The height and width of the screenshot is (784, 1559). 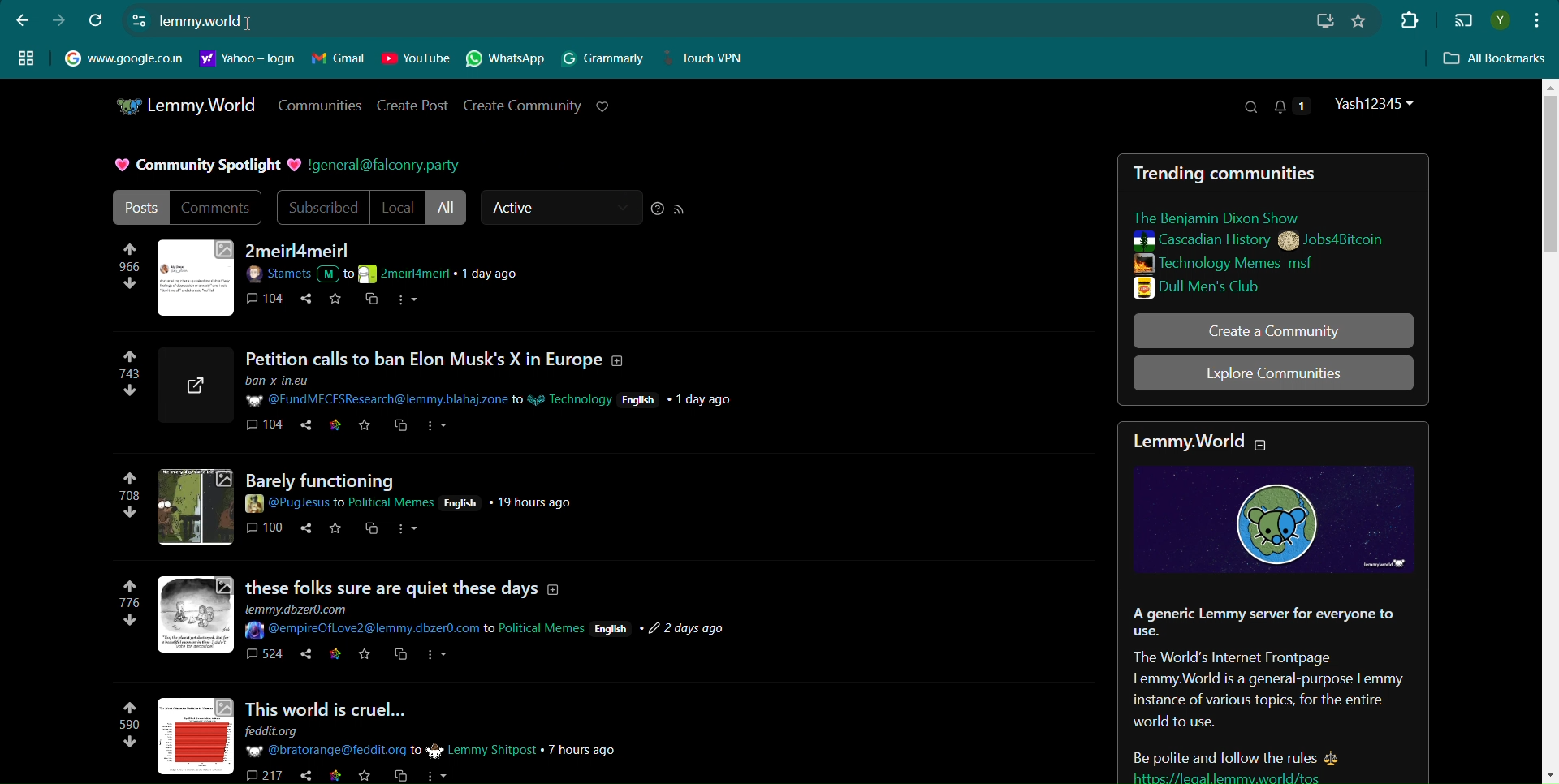 I want to click on 104, so click(x=267, y=300).